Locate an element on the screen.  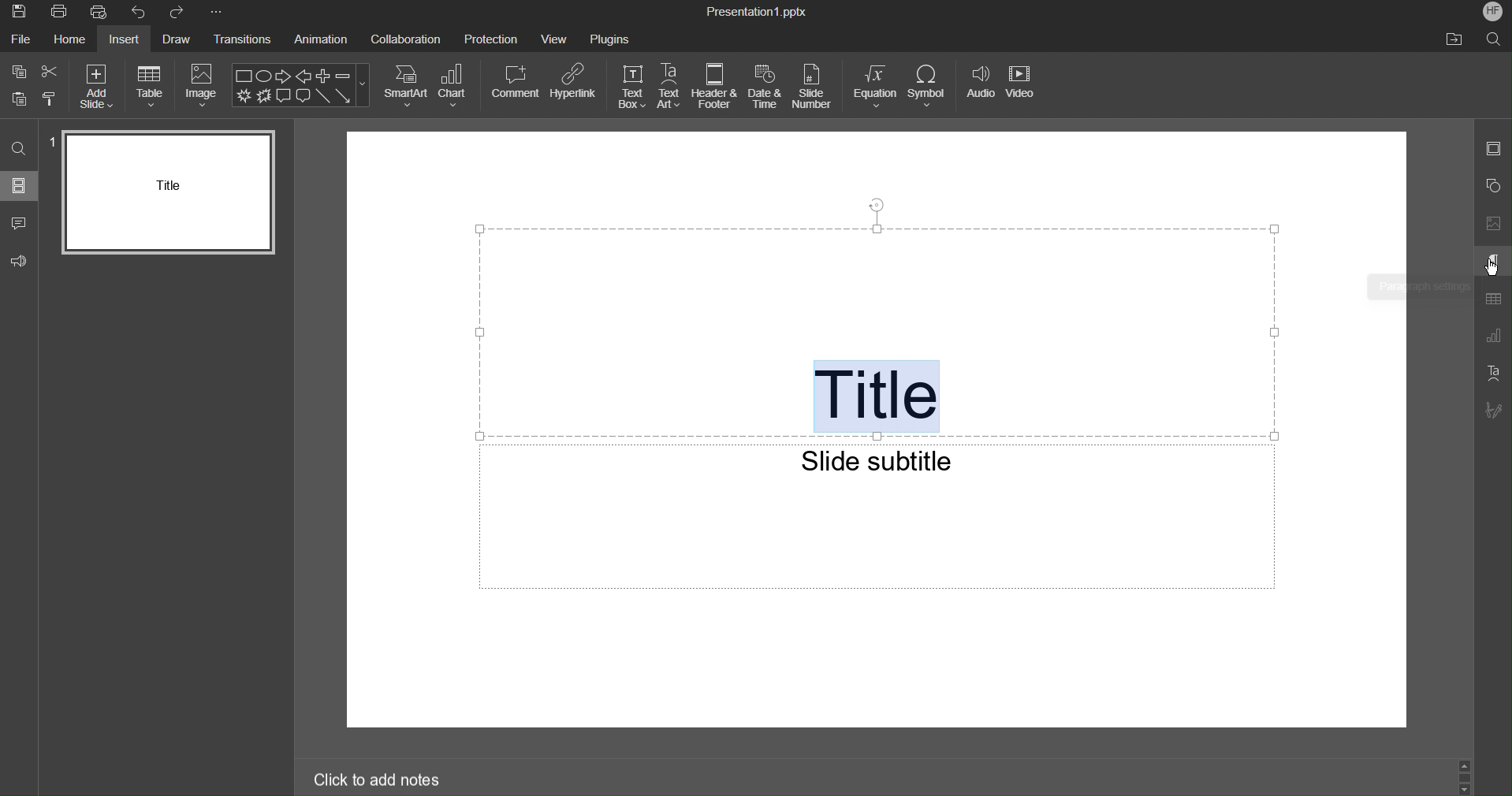
Table is located at coordinates (1492, 300).